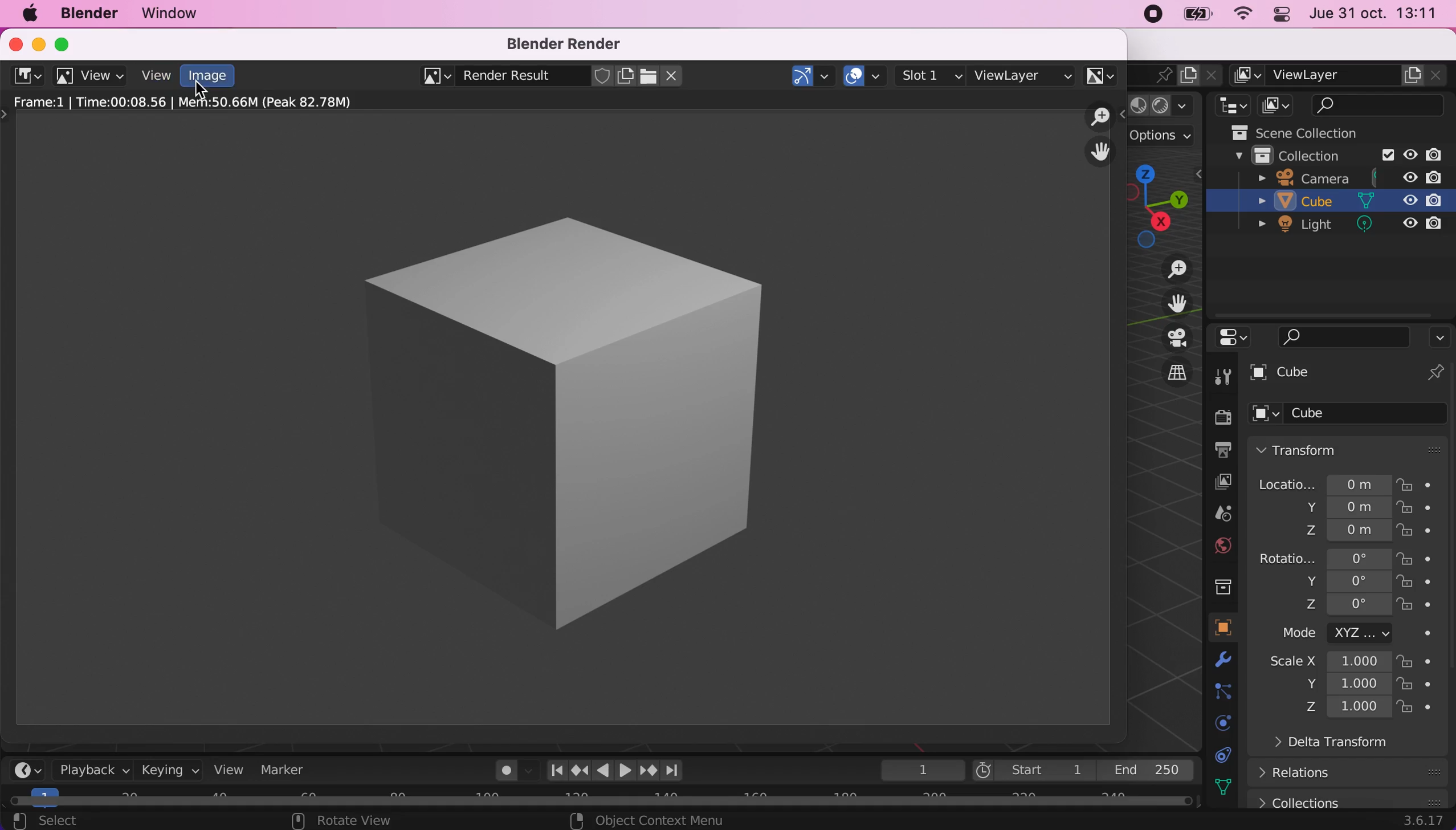 This screenshot has height=830, width=1456. I want to click on lock, so click(1417, 558).